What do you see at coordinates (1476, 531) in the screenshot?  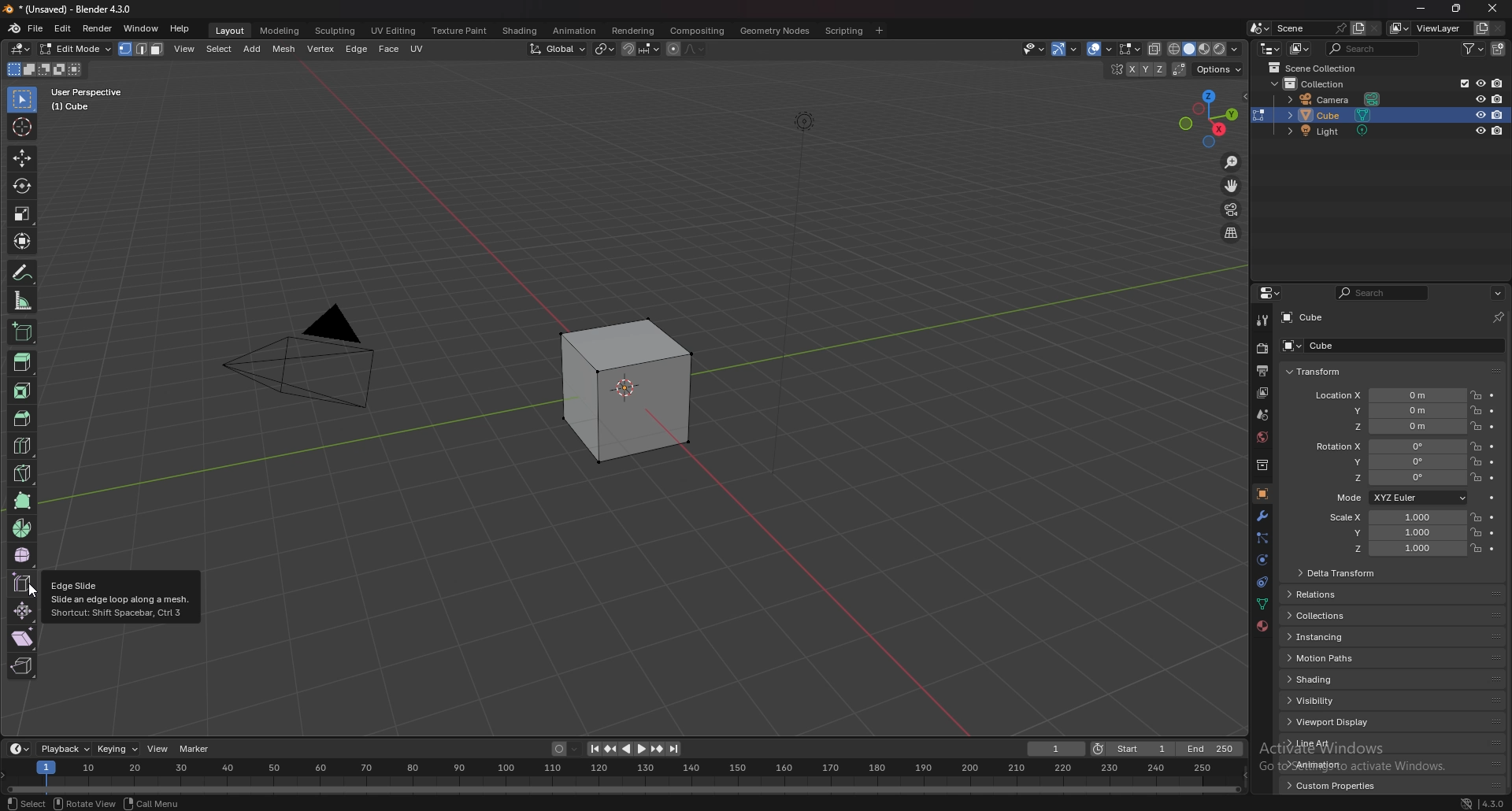 I see `lock` at bounding box center [1476, 531].